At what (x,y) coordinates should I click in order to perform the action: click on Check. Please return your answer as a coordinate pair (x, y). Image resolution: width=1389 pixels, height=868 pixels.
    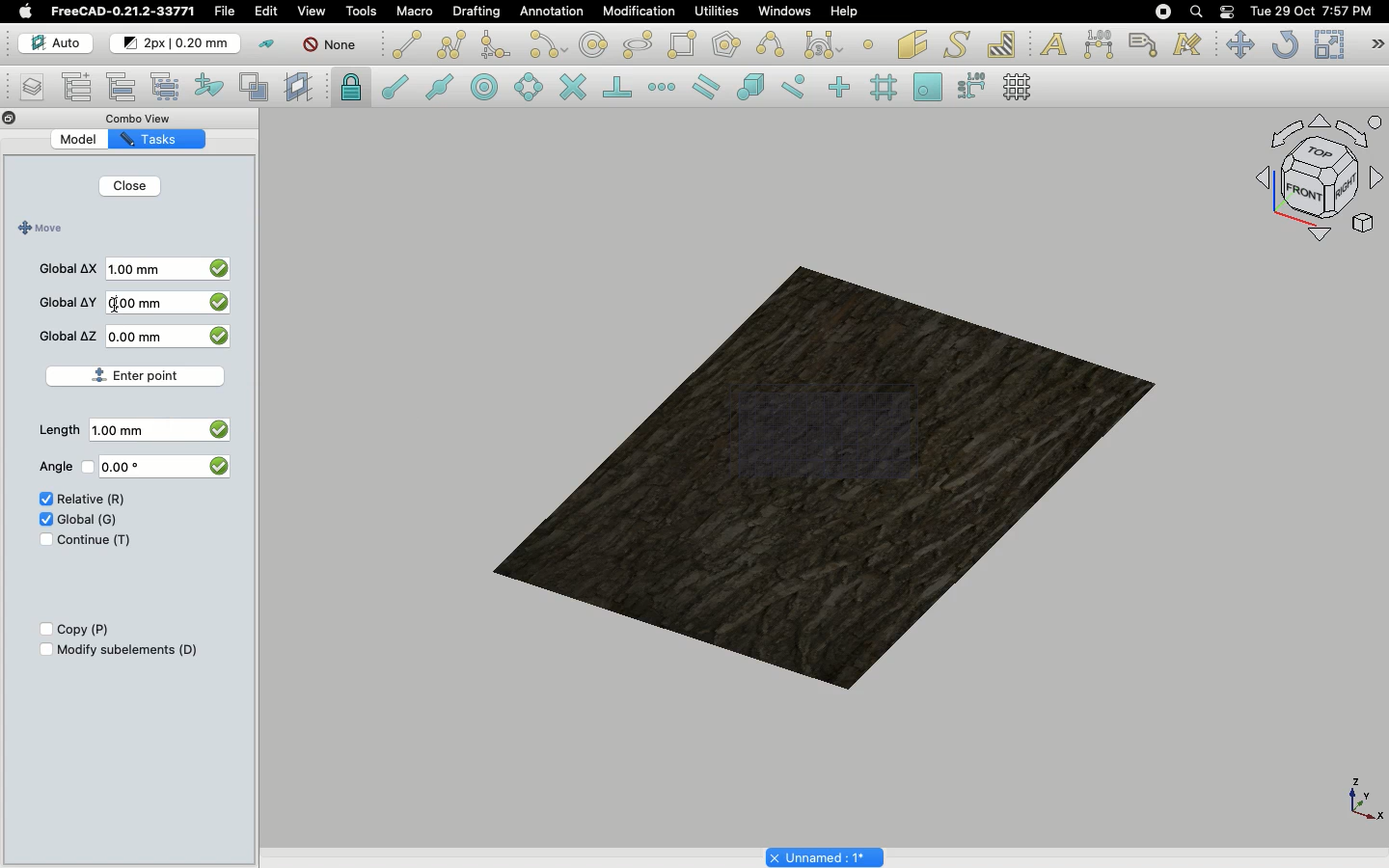
    Looking at the image, I should click on (44, 518).